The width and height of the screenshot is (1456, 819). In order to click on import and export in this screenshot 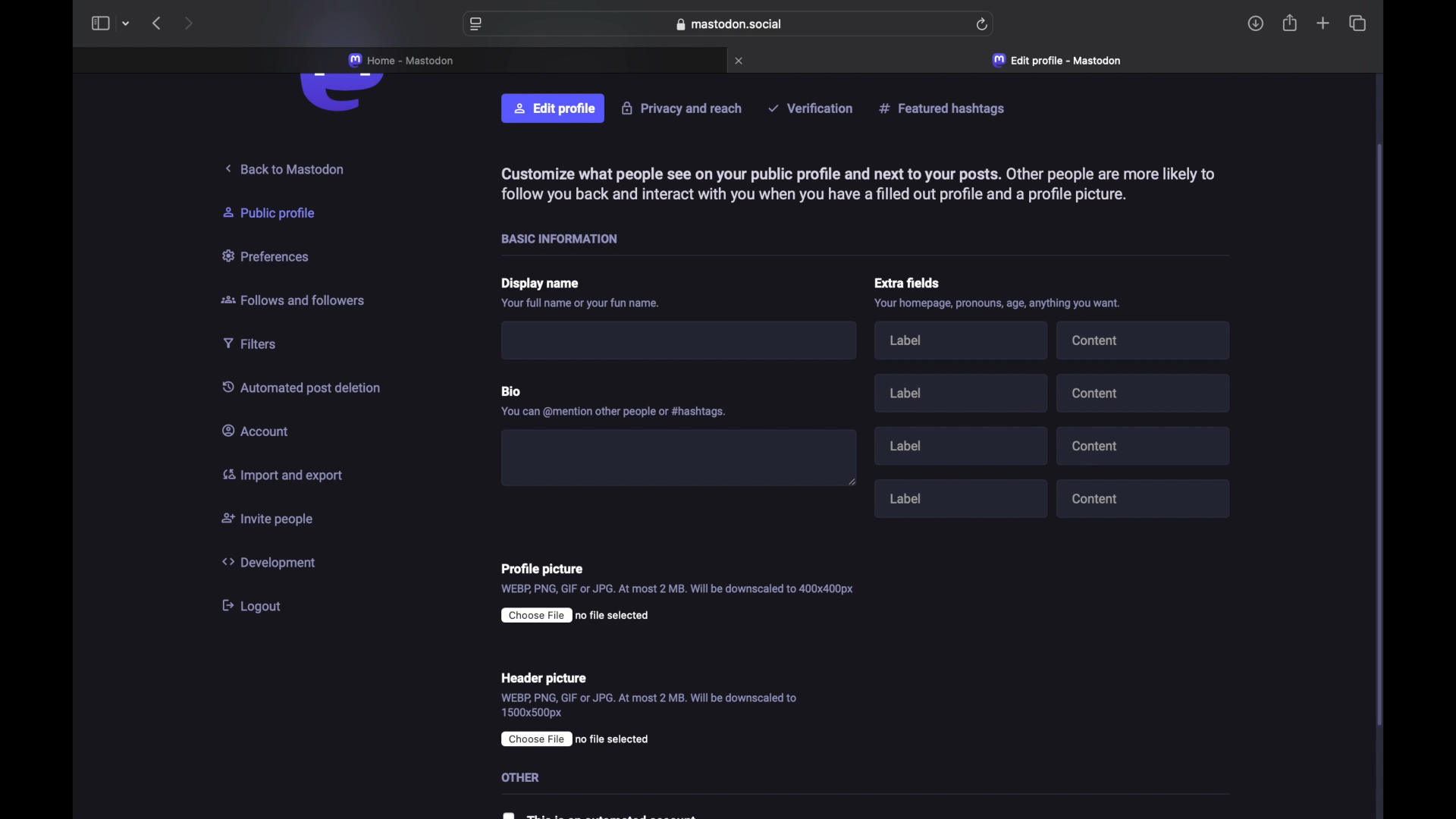, I will do `click(290, 479)`.